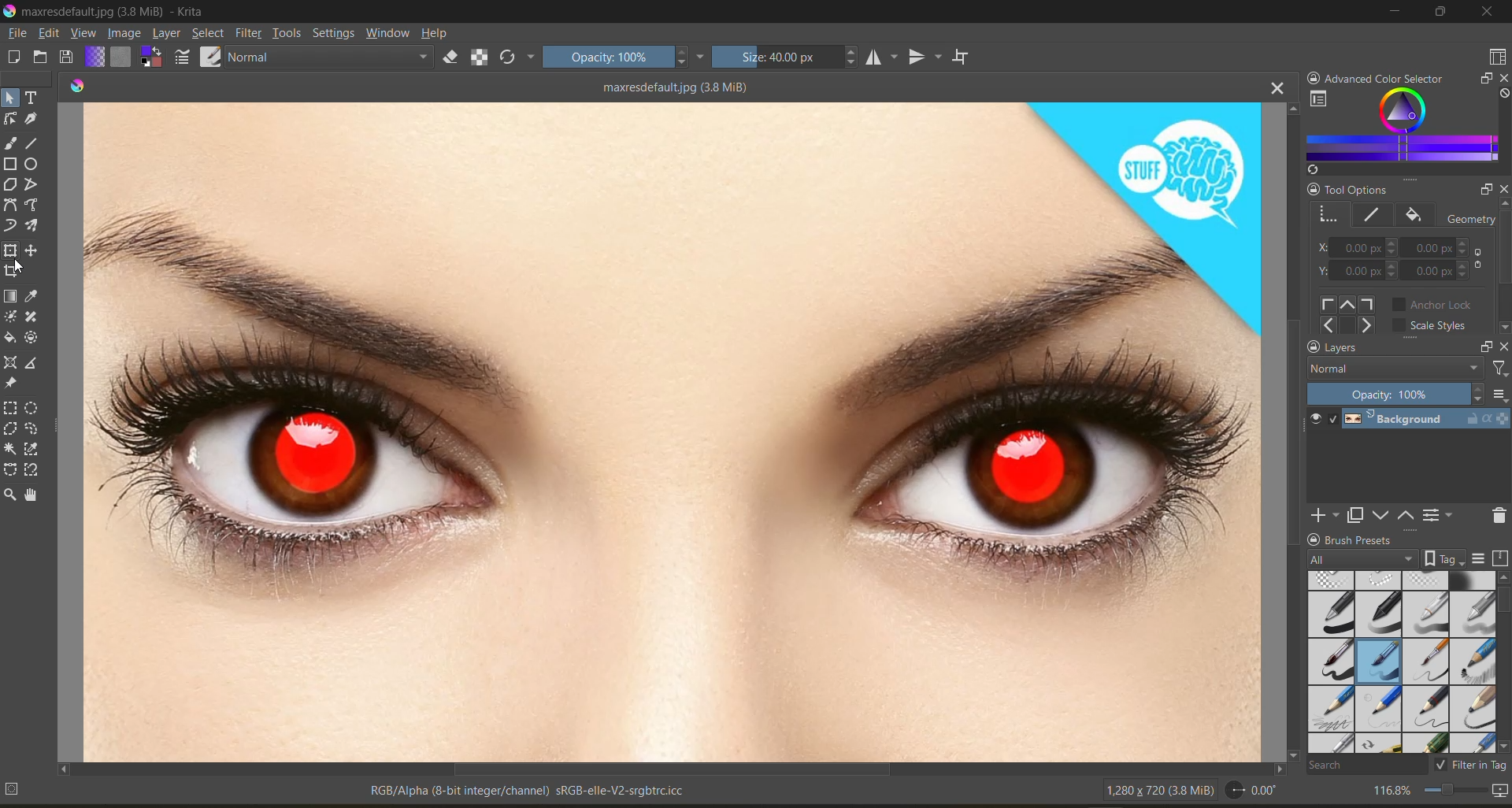 The image size is (1512, 808). What do you see at coordinates (33, 165) in the screenshot?
I see `tool` at bounding box center [33, 165].